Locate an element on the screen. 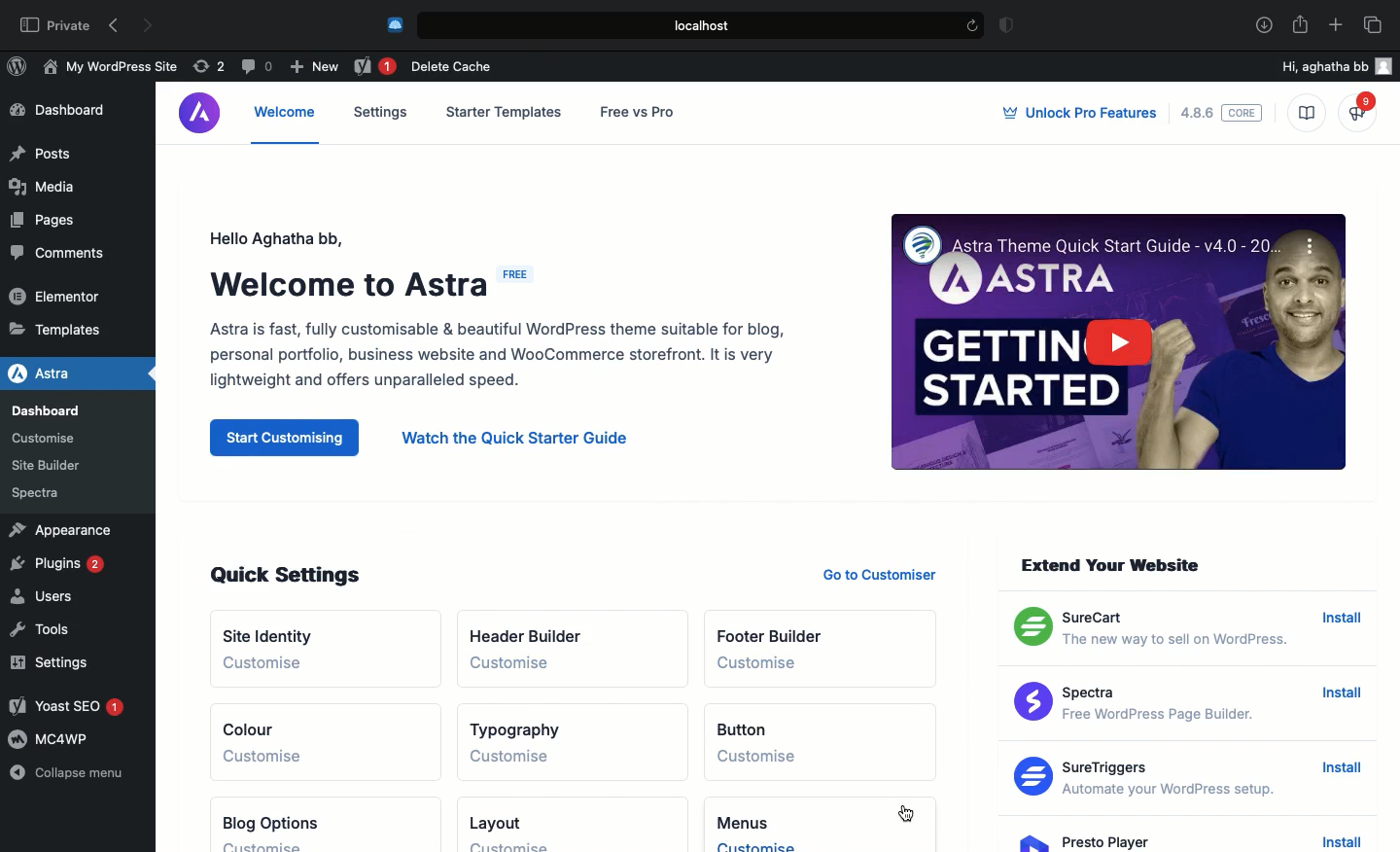  Forward is located at coordinates (151, 25).